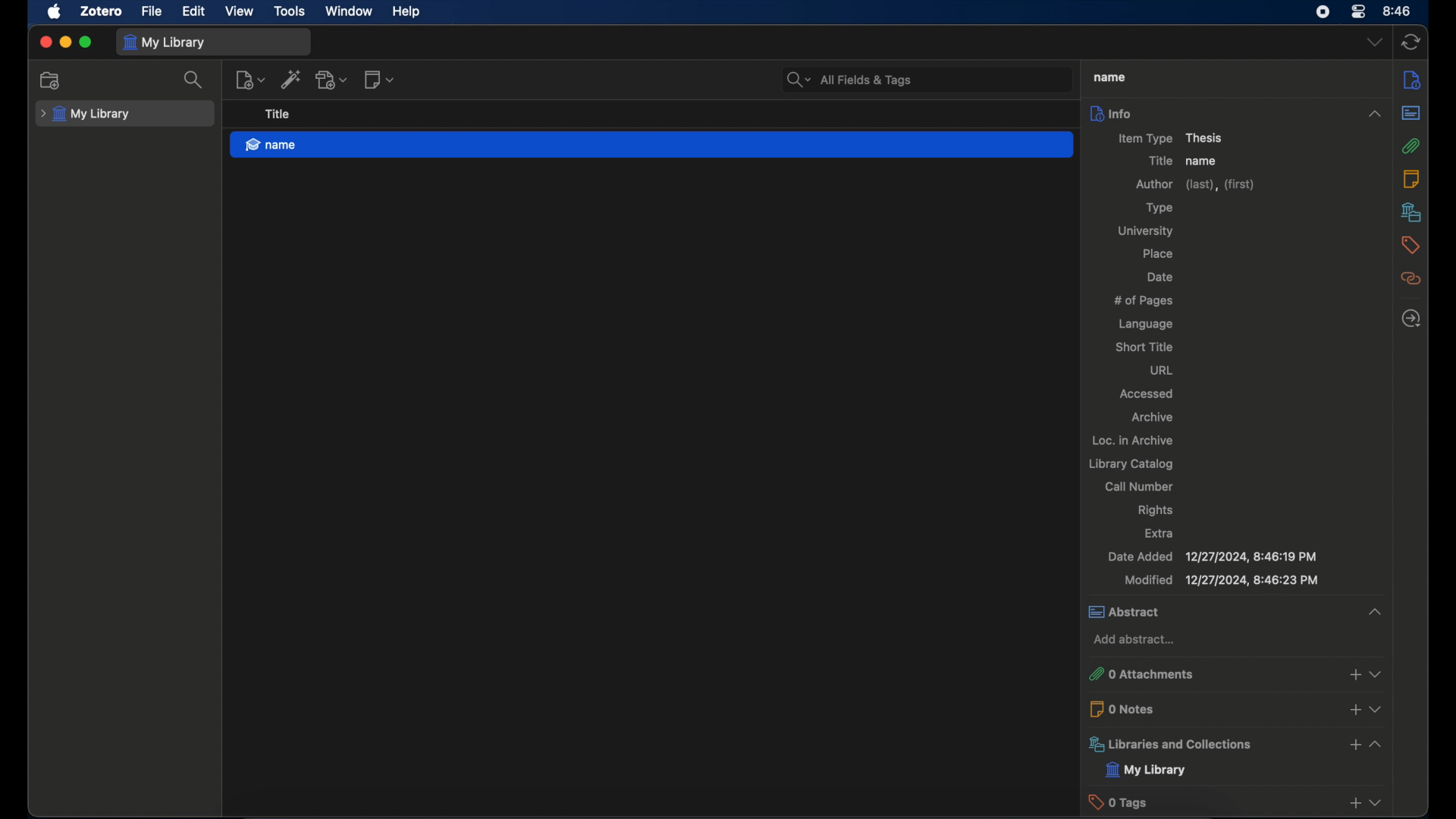  I want to click on control center, so click(1357, 12).